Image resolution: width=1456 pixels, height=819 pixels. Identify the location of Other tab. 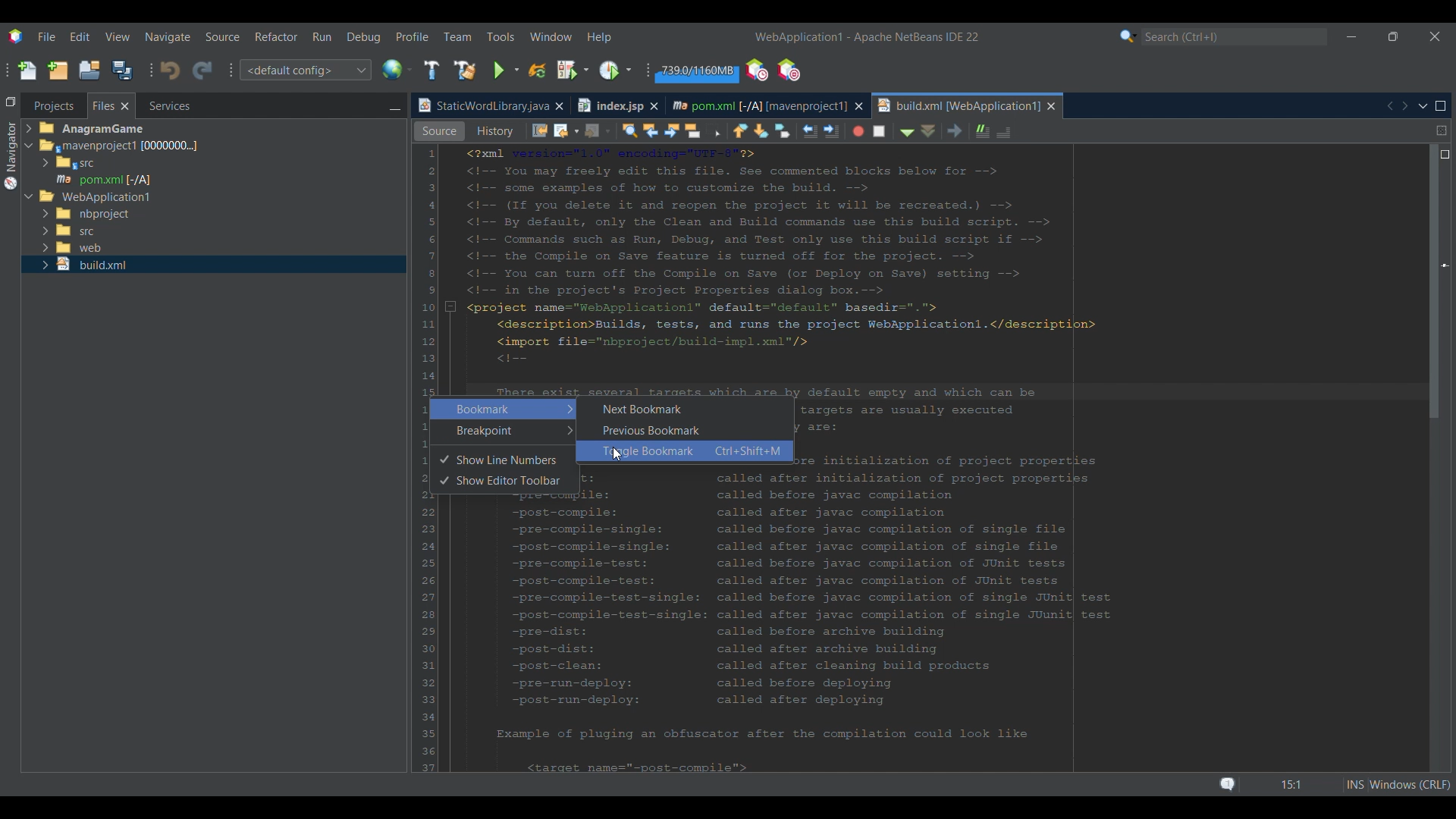
(617, 105).